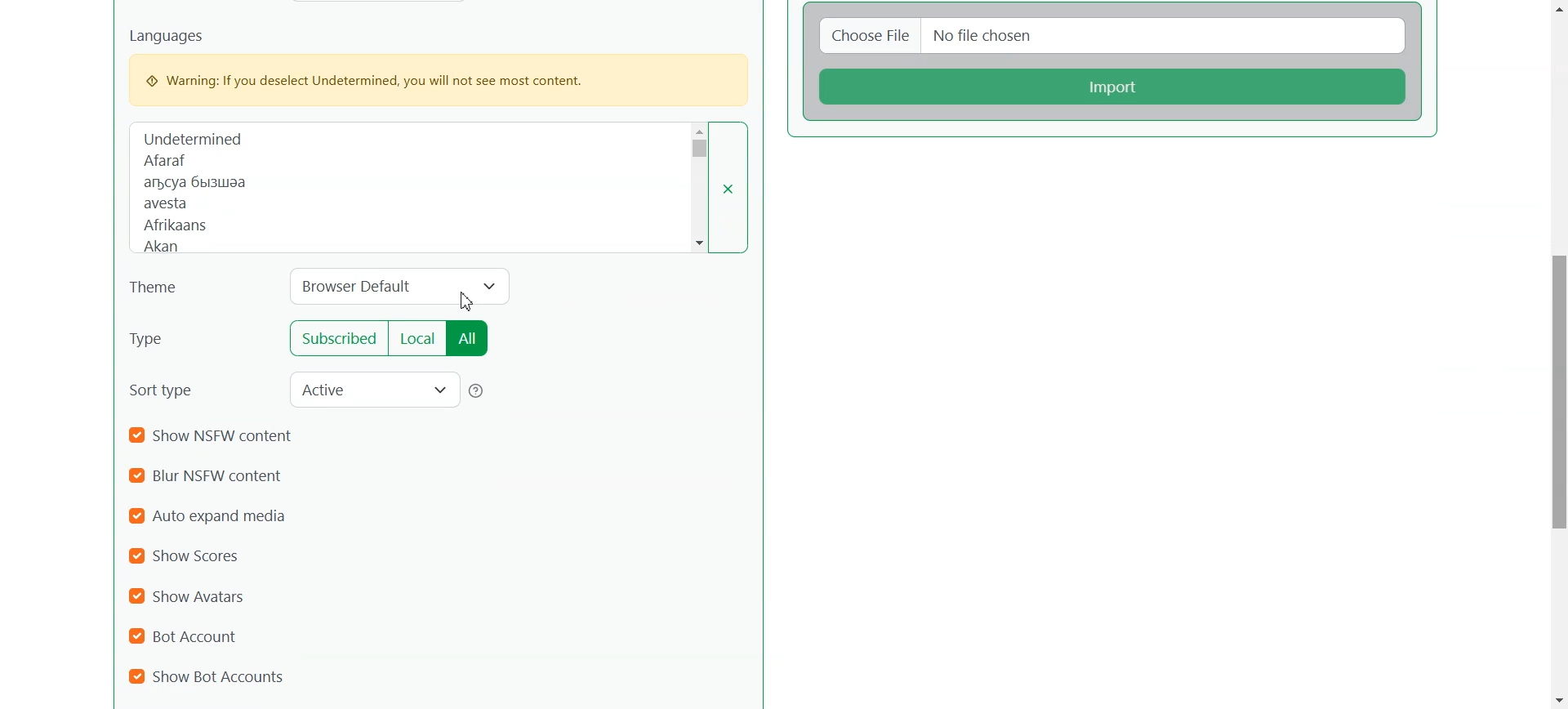 The width and height of the screenshot is (1568, 709). What do you see at coordinates (213, 476) in the screenshot?
I see `Blur NSFW content` at bounding box center [213, 476].